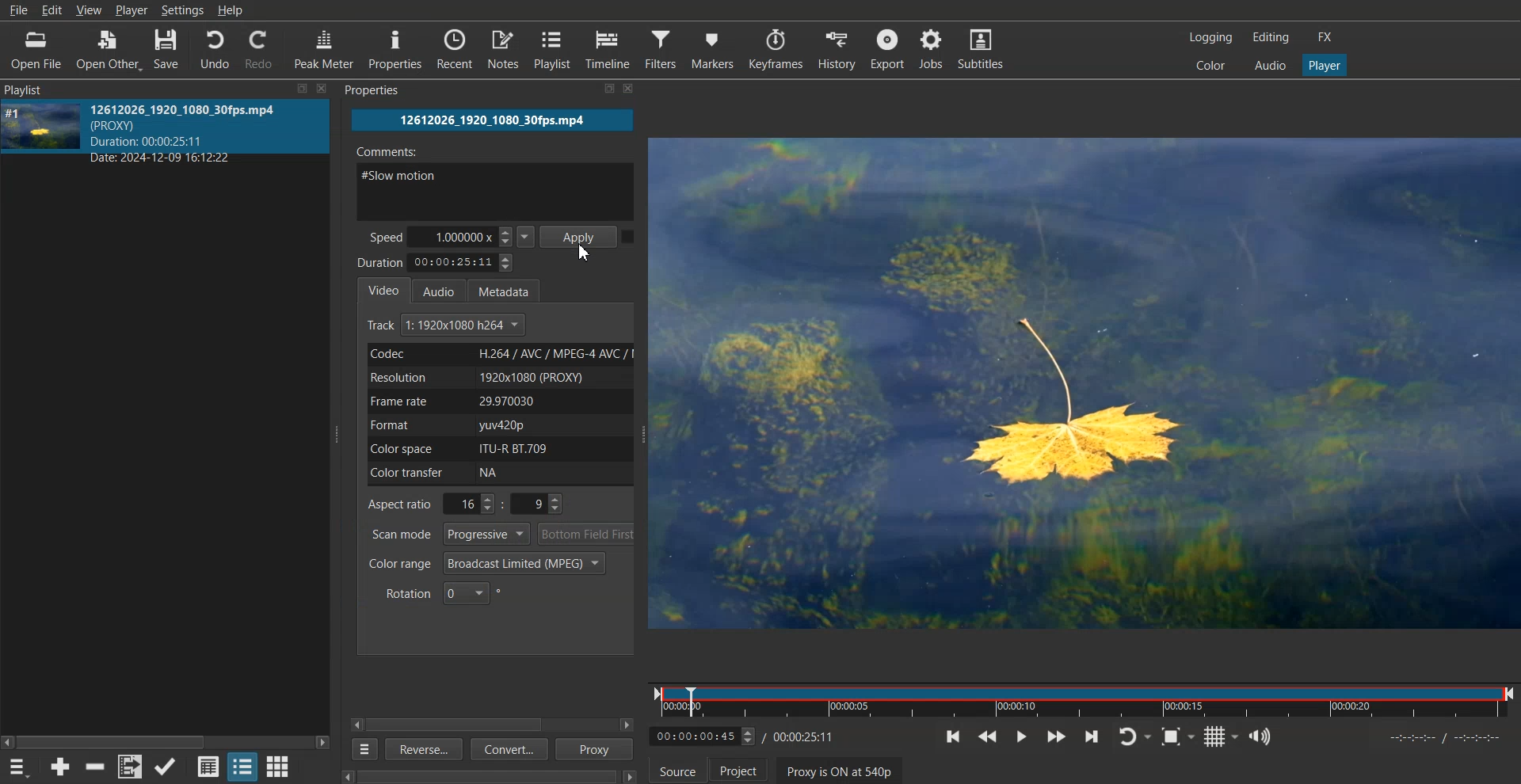 This screenshot has height=784, width=1521. What do you see at coordinates (987, 736) in the screenshot?
I see `Play Backward` at bounding box center [987, 736].